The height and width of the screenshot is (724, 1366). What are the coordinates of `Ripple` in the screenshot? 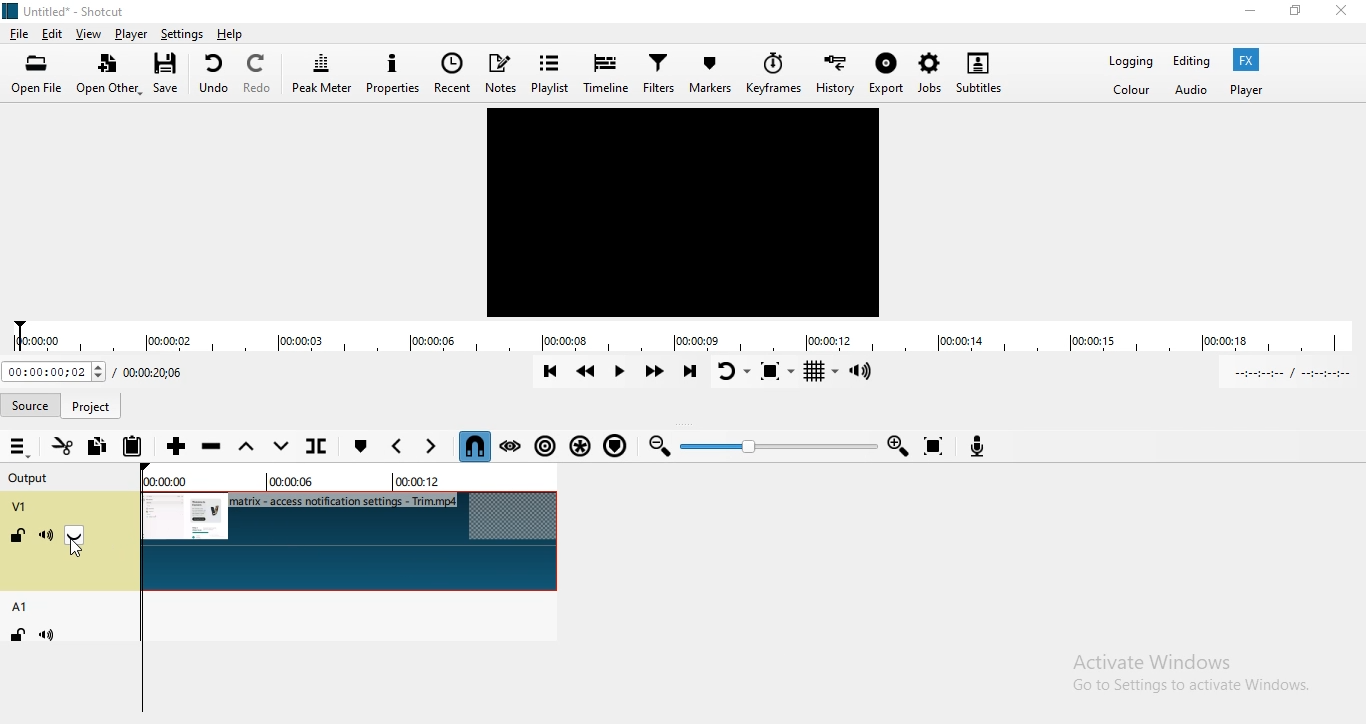 It's located at (544, 450).